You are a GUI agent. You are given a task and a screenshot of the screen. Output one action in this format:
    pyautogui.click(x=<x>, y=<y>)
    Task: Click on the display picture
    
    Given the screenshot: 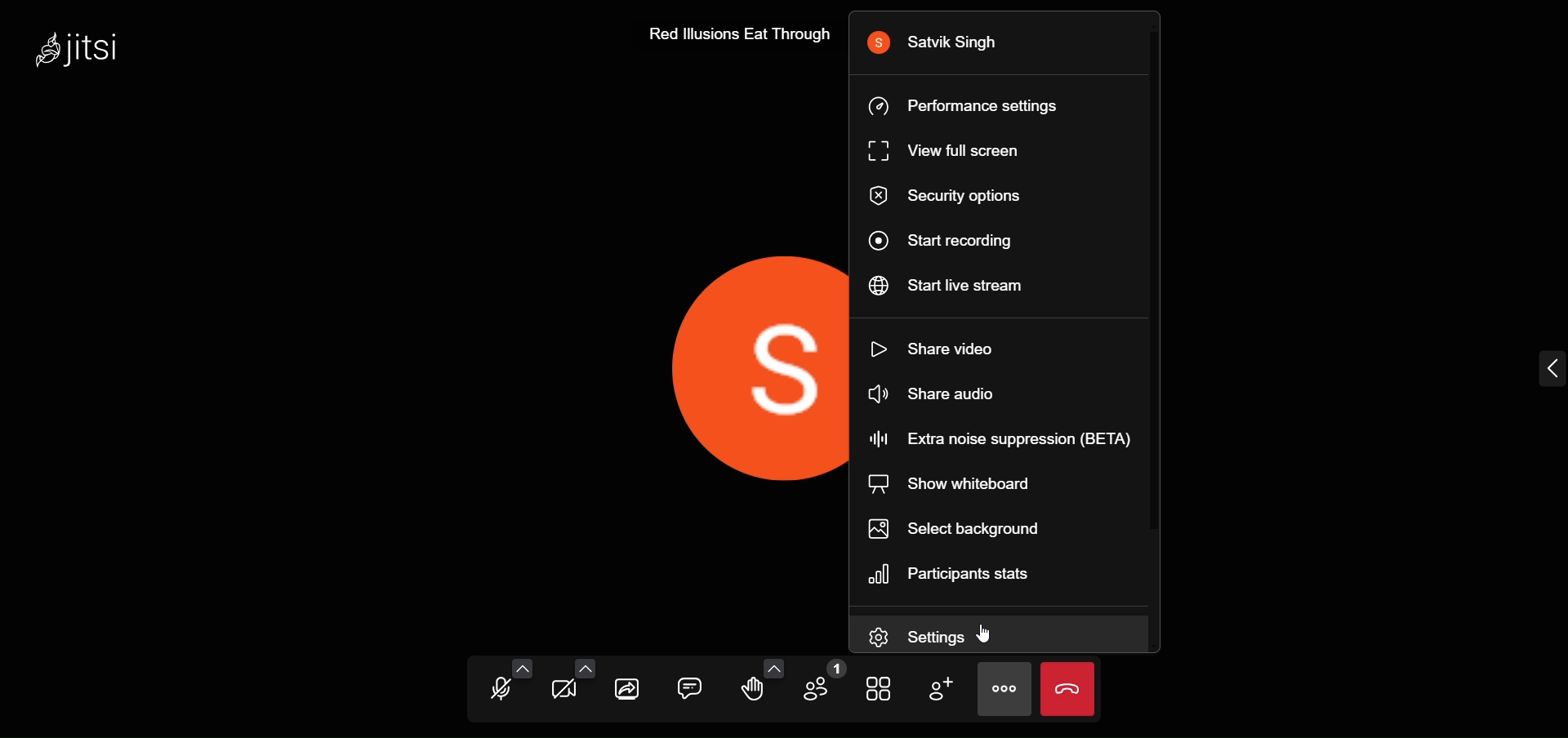 What is the action you would take?
    pyautogui.click(x=755, y=365)
    